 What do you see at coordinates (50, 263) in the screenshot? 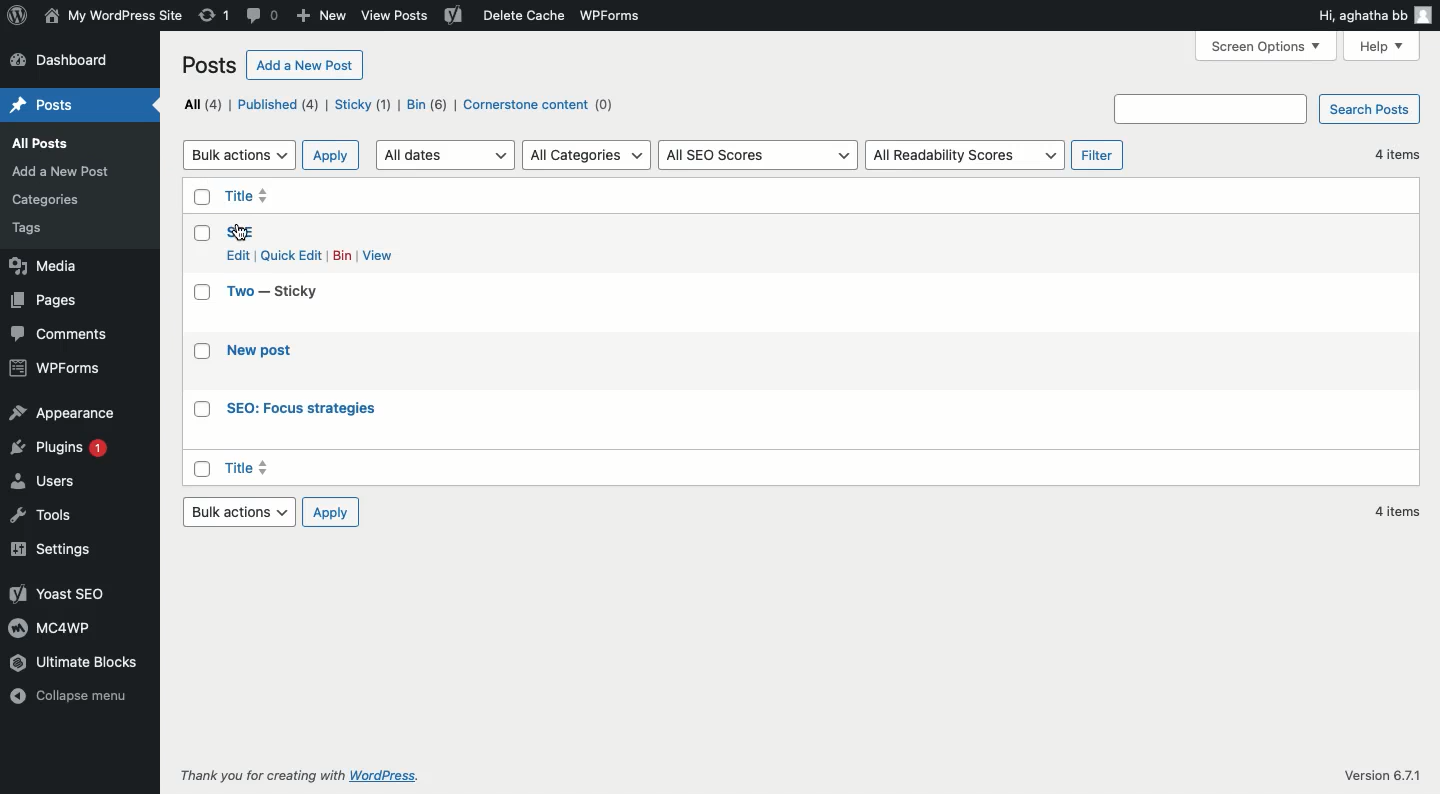
I see `Media` at bounding box center [50, 263].